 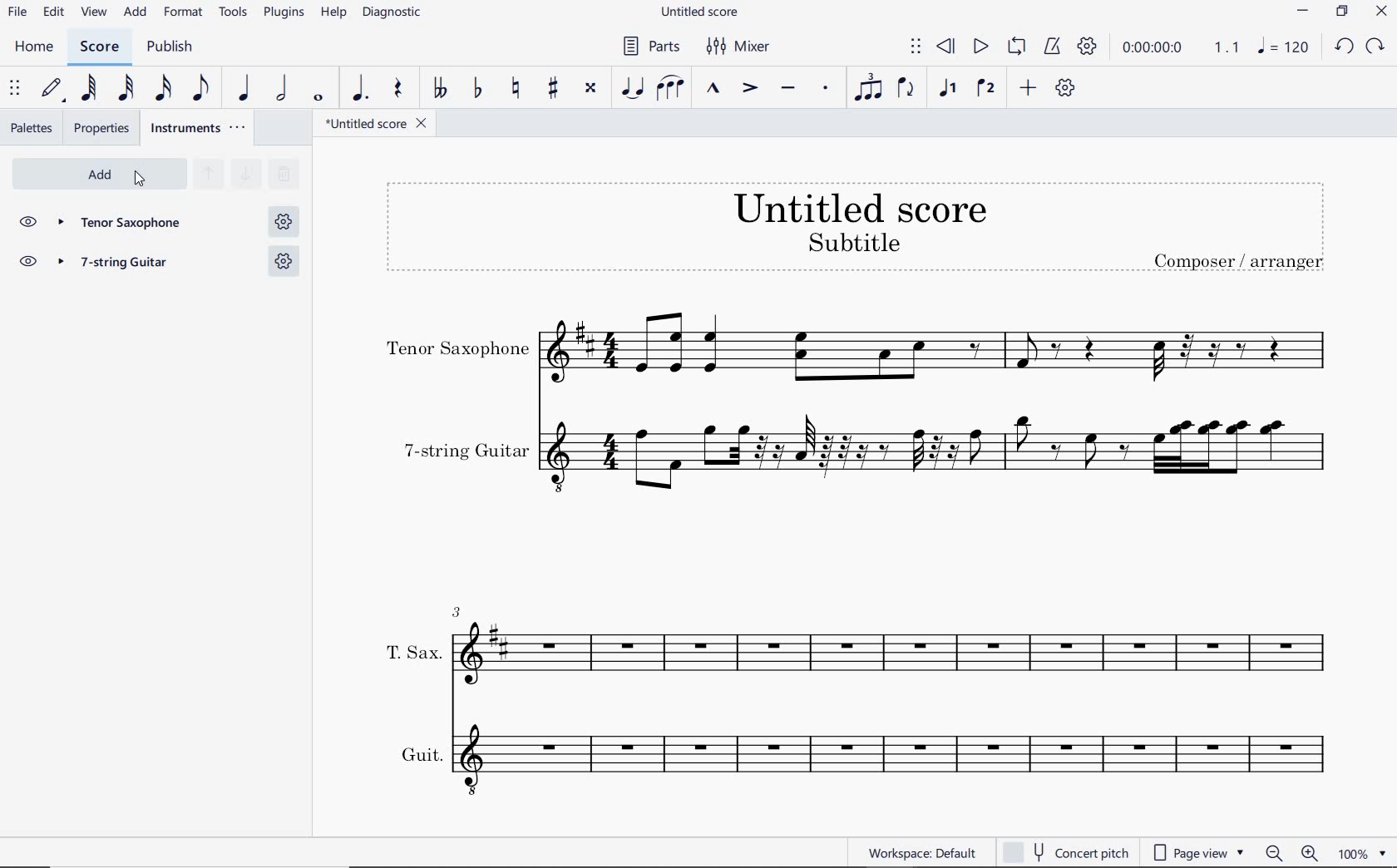 What do you see at coordinates (245, 88) in the screenshot?
I see `QUARTER NOTE` at bounding box center [245, 88].